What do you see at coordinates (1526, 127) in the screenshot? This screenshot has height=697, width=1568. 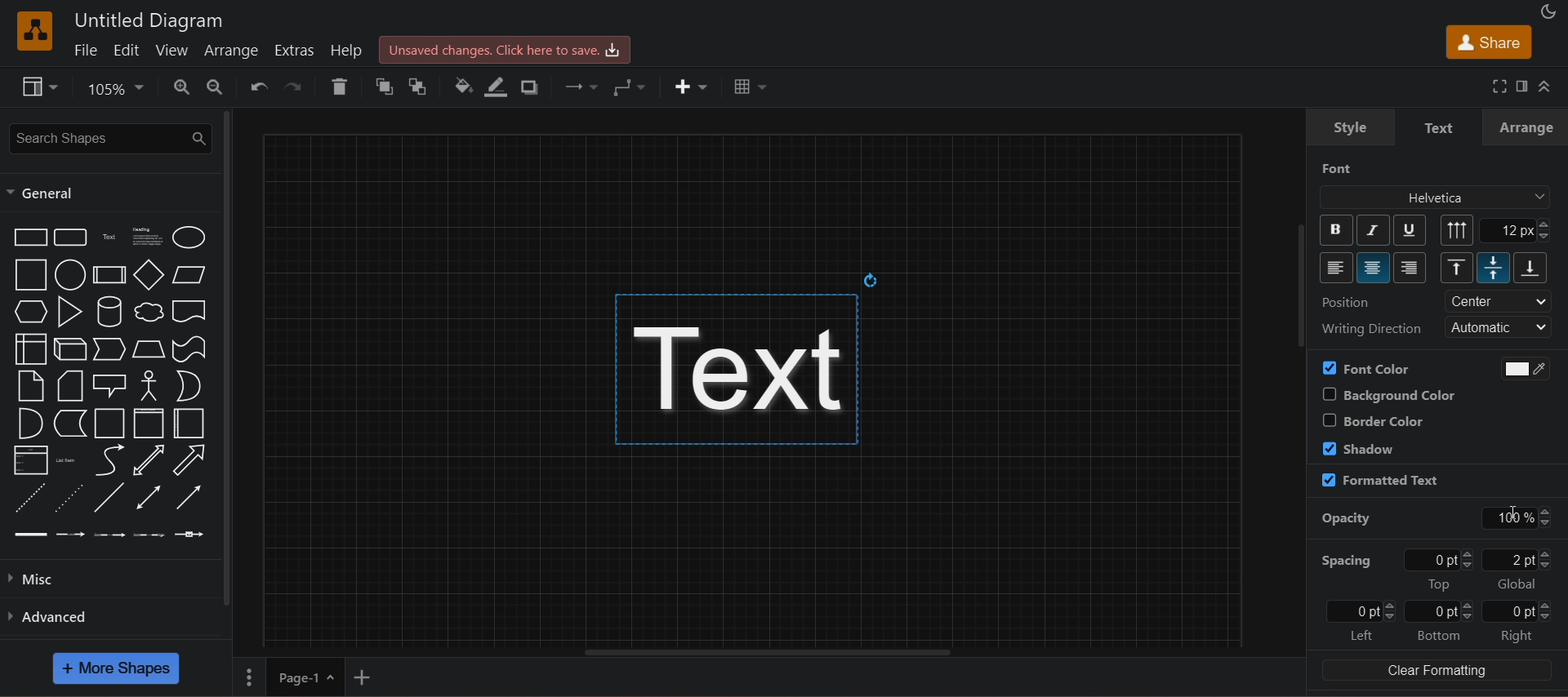 I see `arrange` at bounding box center [1526, 127].